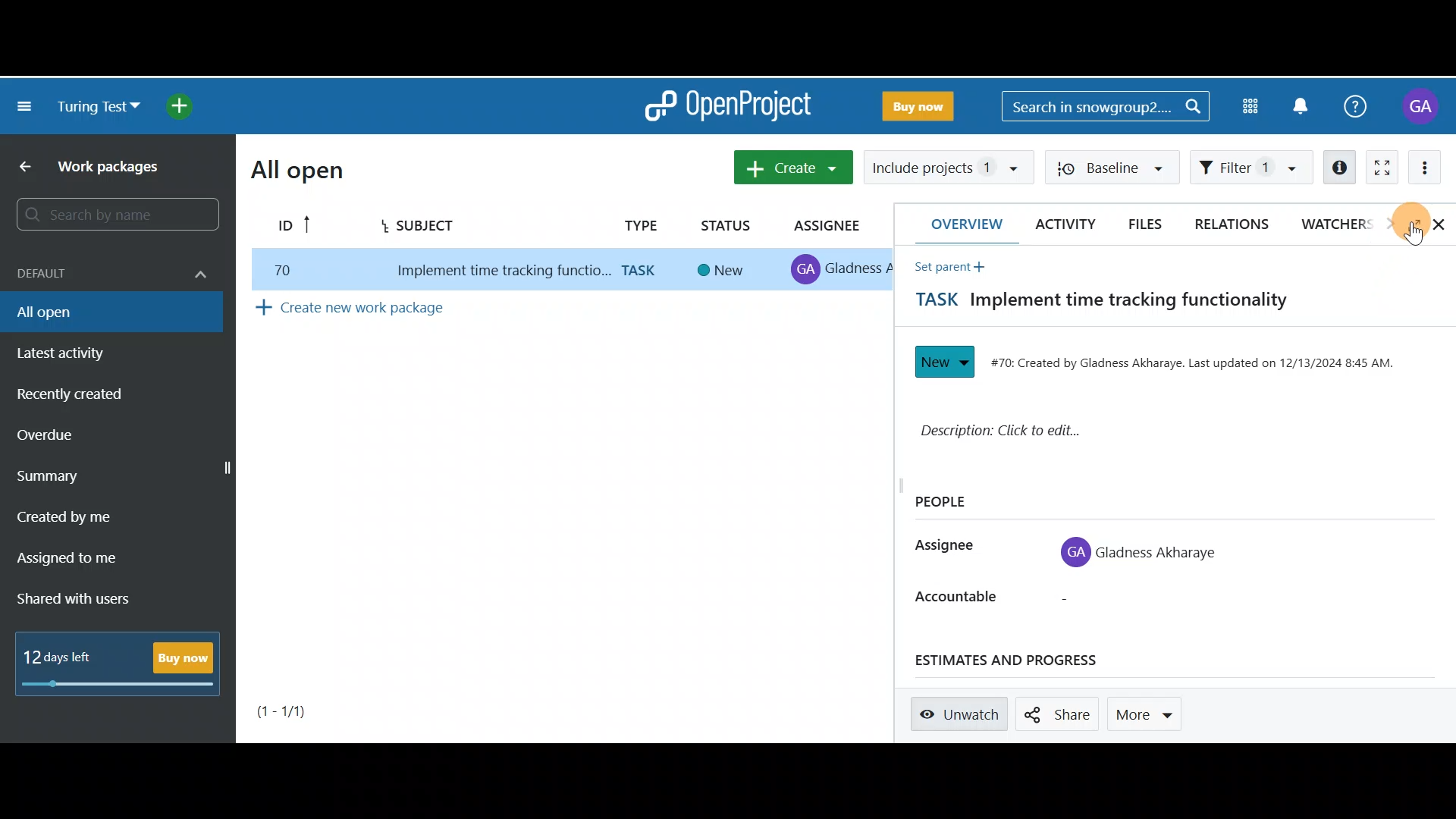  What do you see at coordinates (952, 547) in the screenshot?
I see `Assignee` at bounding box center [952, 547].